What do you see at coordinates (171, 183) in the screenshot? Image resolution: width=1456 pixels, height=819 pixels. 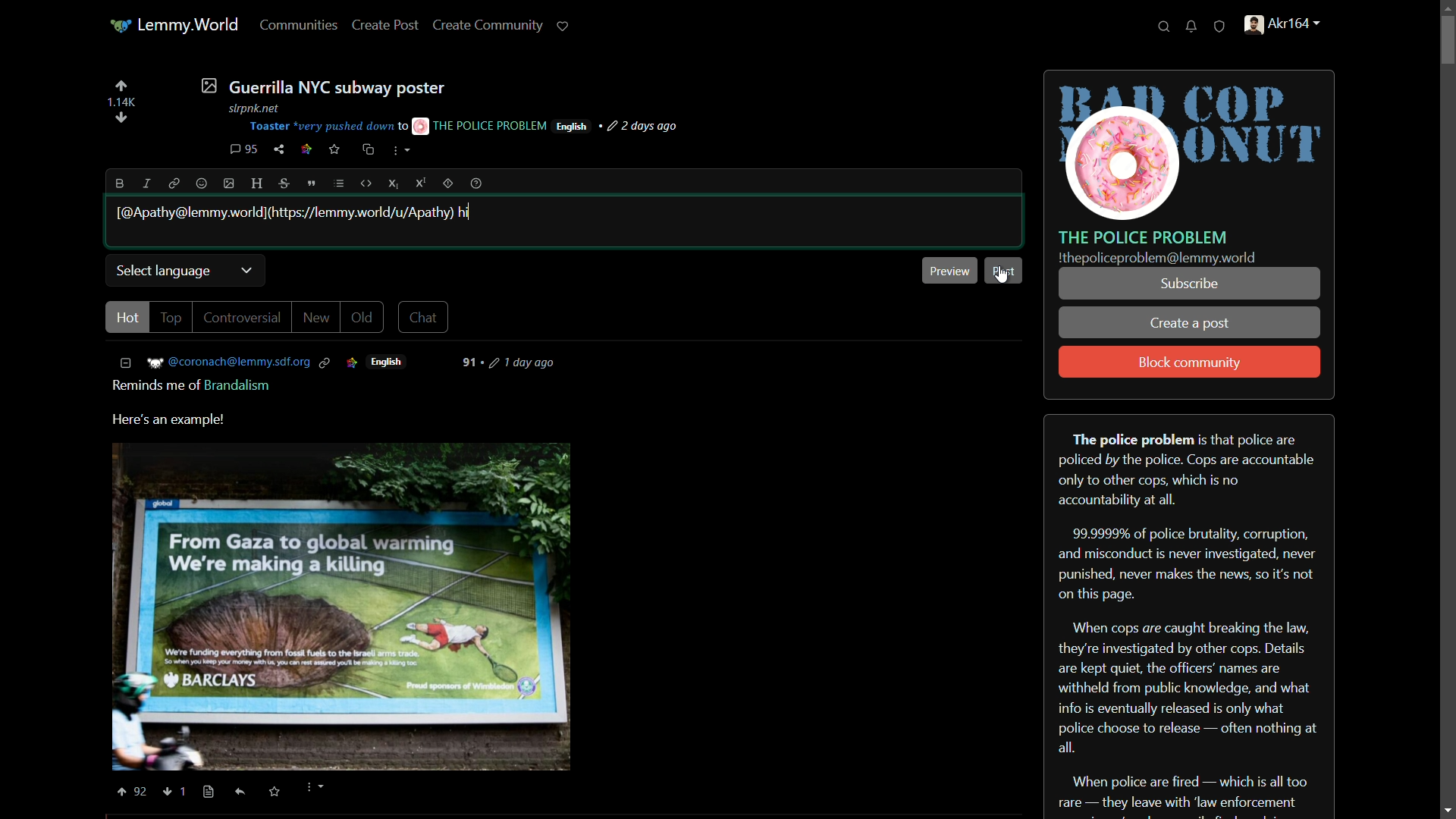 I see `link` at bounding box center [171, 183].